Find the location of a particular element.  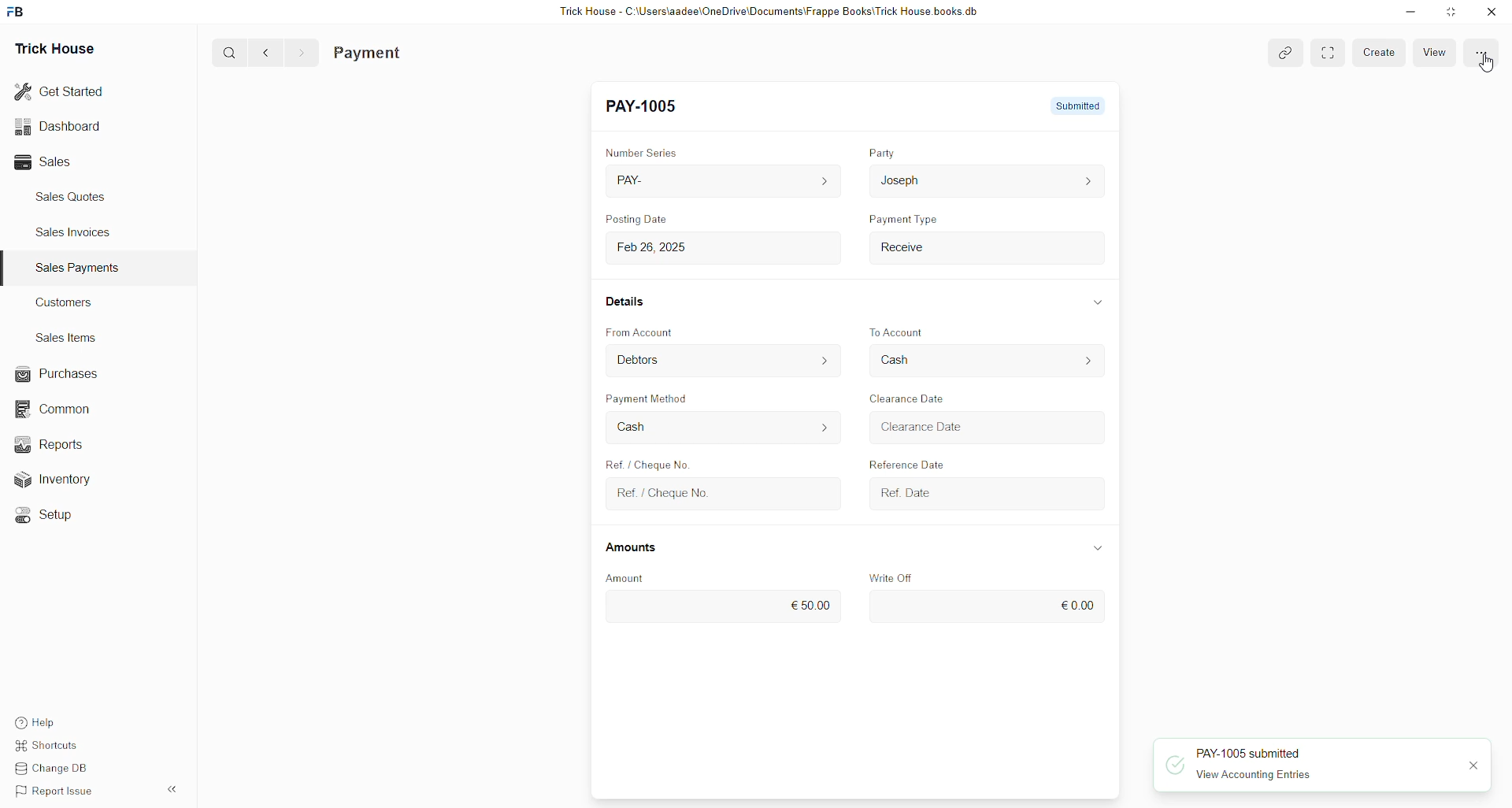

Common is located at coordinates (60, 410).